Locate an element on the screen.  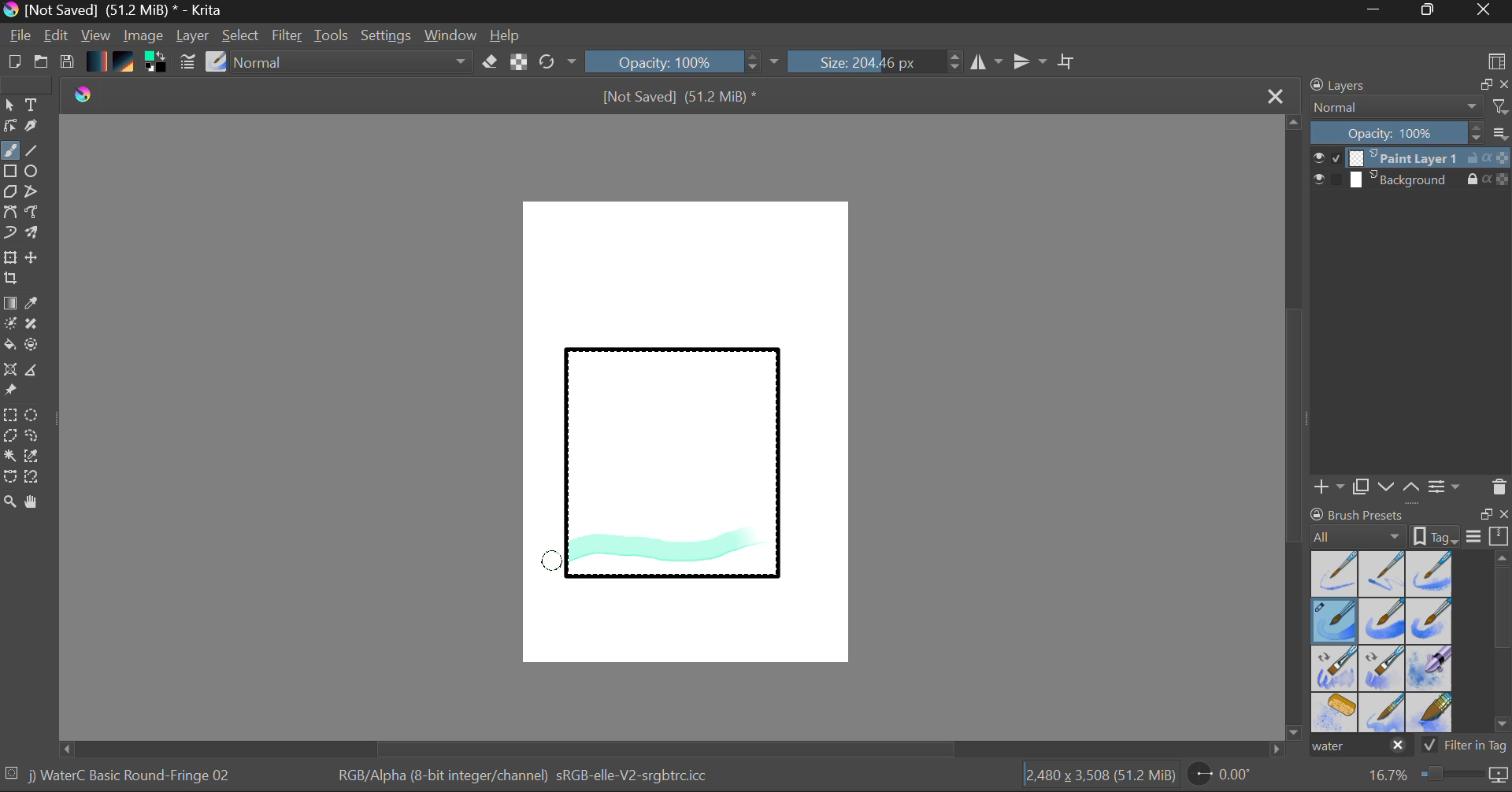
Eraser is located at coordinates (491, 62).